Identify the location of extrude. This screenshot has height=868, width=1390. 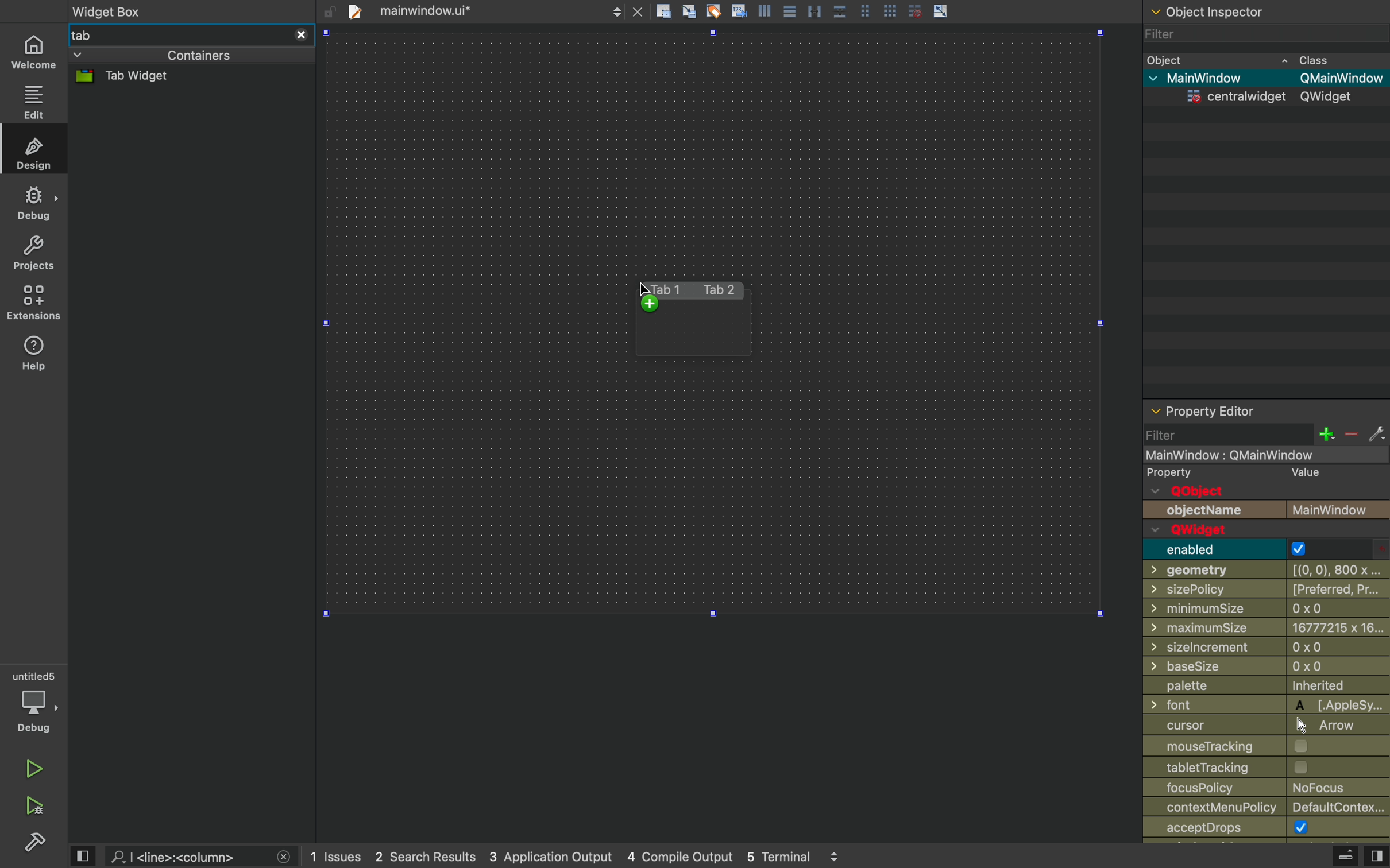
(1346, 858).